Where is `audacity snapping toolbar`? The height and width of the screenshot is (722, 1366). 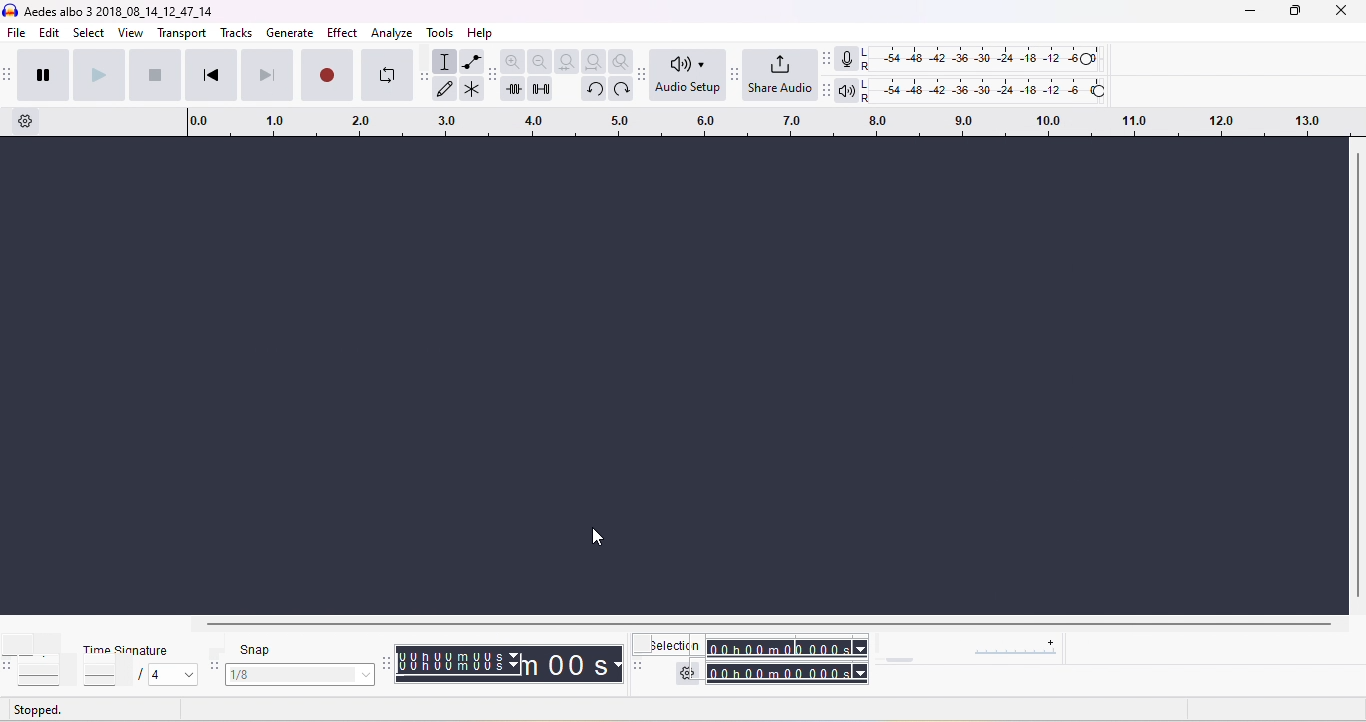 audacity snapping toolbar is located at coordinates (215, 664).